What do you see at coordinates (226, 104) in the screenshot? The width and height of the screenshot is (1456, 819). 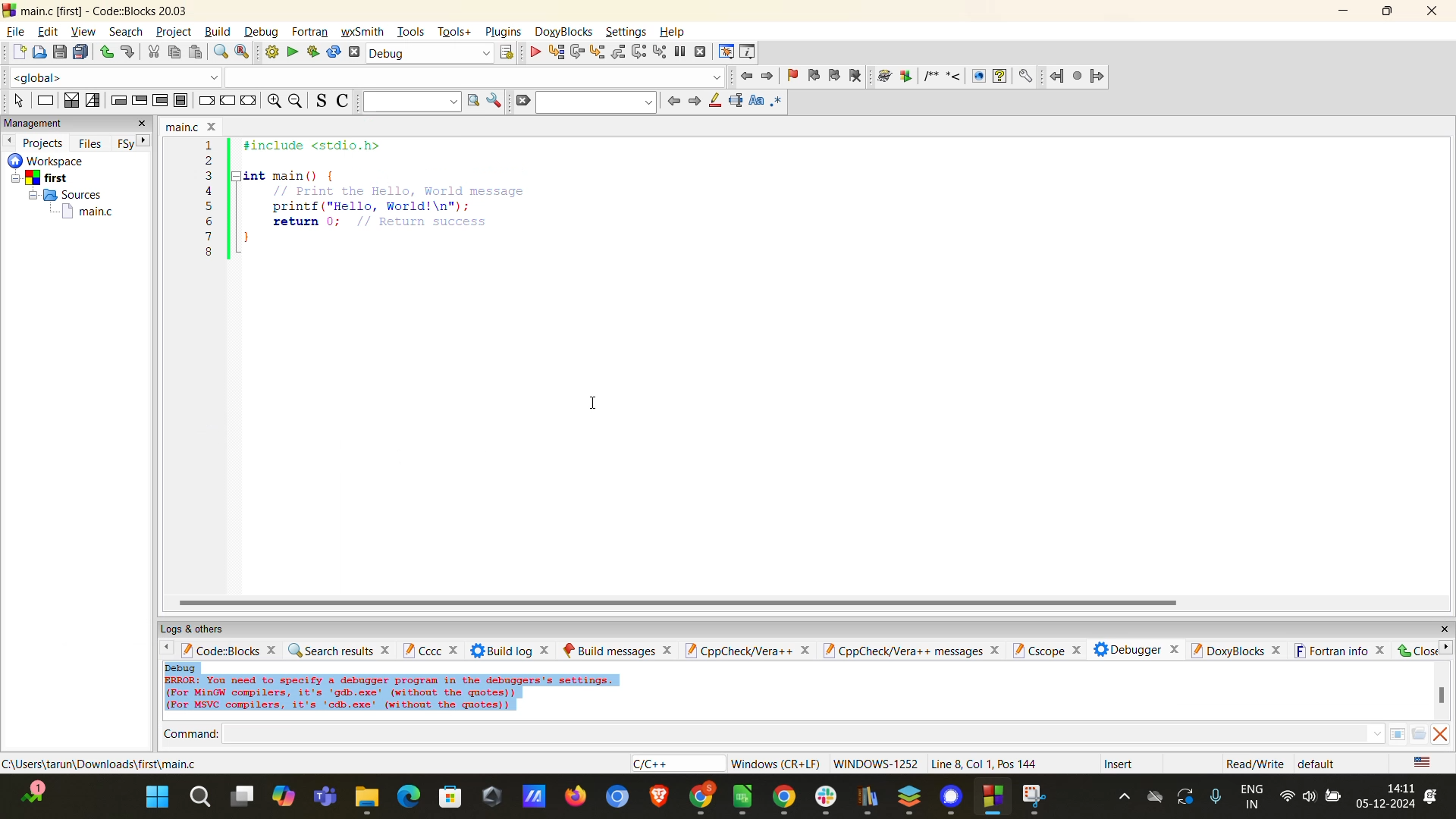 I see `continue instruction` at bounding box center [226, 104].